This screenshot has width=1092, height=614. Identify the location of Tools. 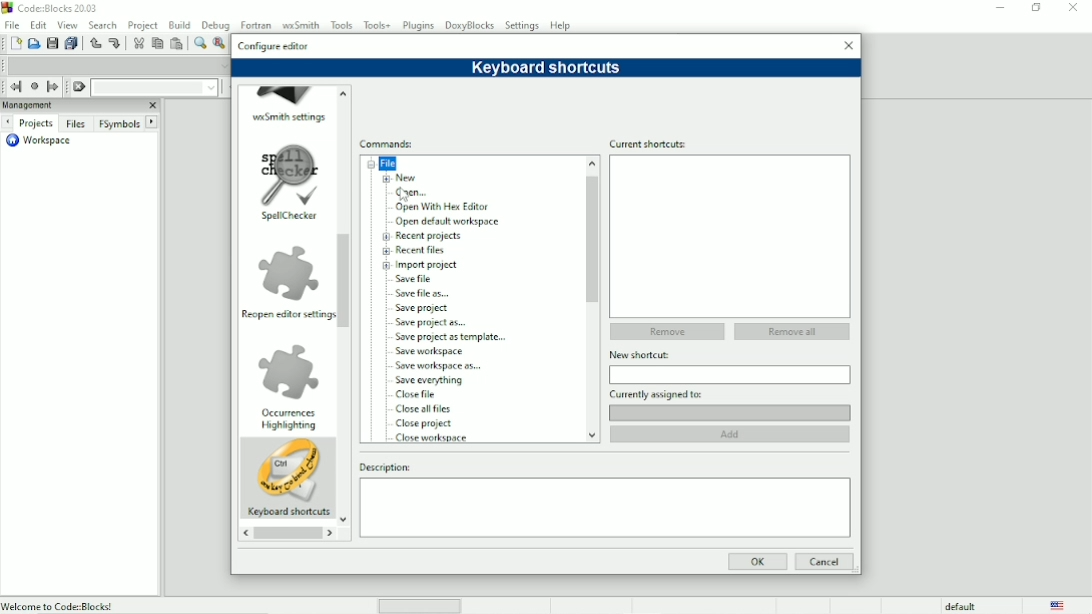
(341, 24).